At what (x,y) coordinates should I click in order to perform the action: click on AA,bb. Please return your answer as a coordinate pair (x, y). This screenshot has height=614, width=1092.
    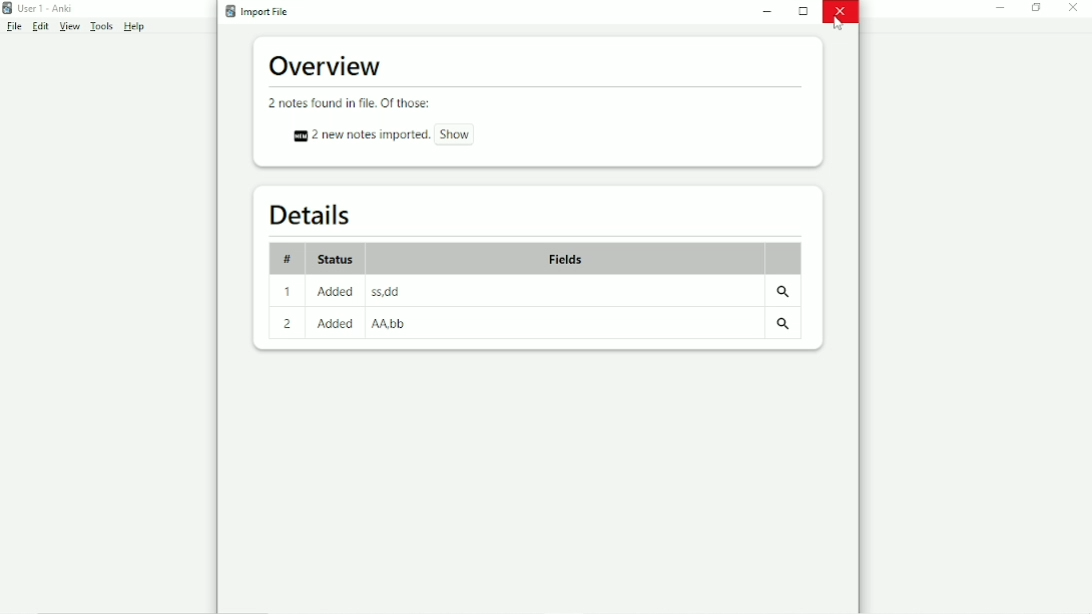
    Looking at the image, I should click on (392, 322).